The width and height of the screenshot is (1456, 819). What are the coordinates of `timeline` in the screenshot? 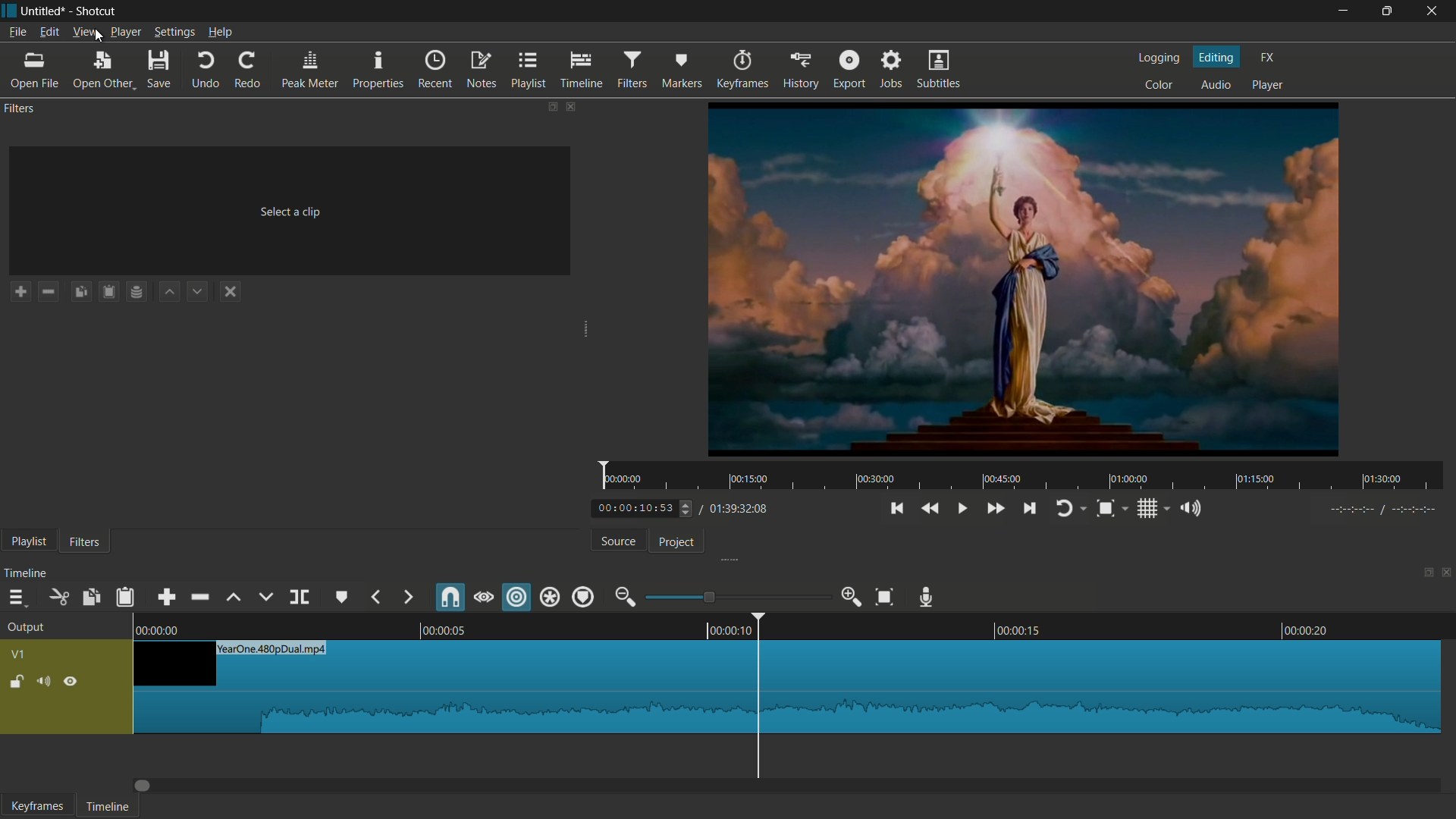 It's located at (108, 807).